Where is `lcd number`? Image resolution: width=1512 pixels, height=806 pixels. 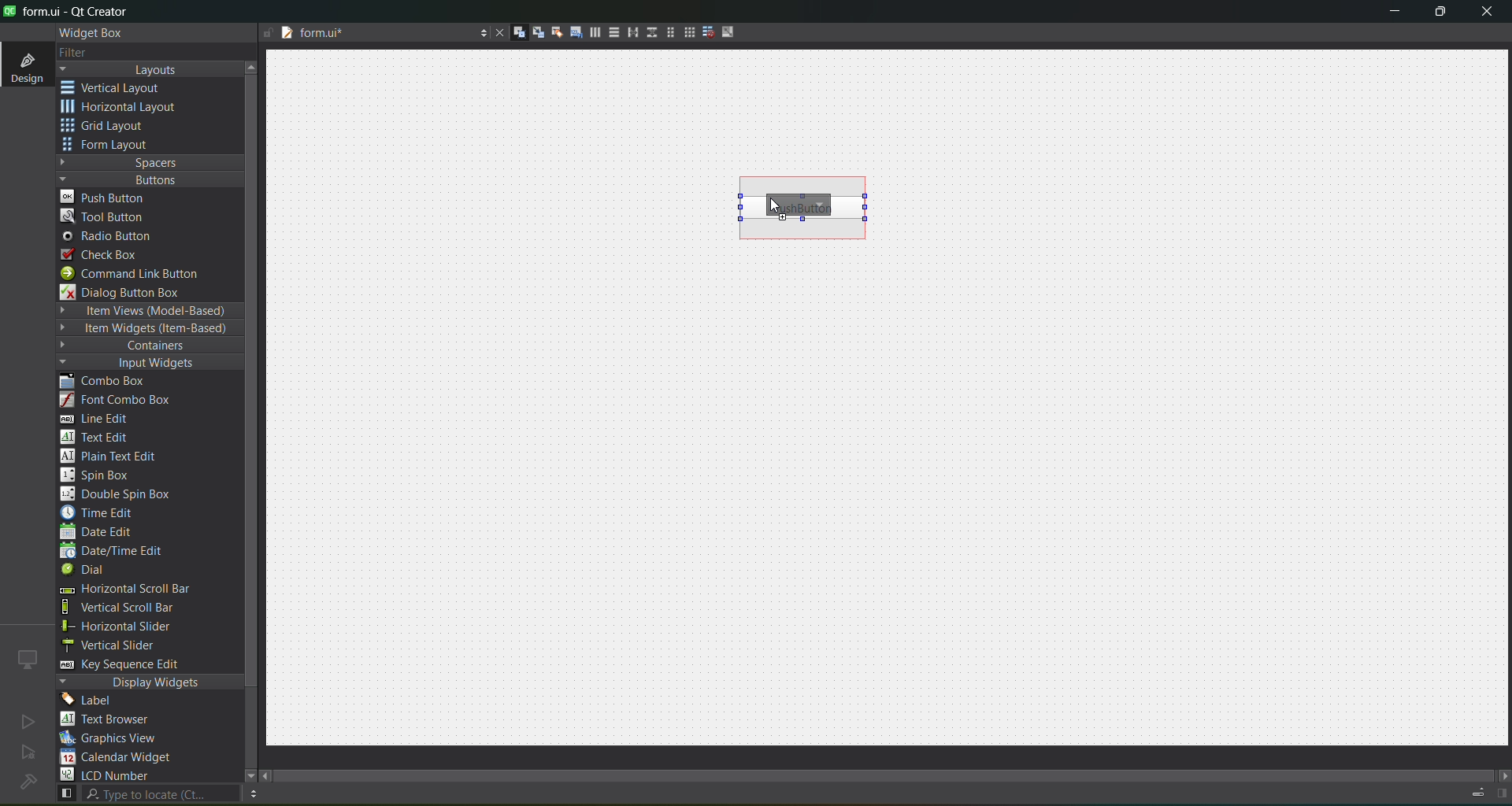 lcd number is located at coordinates (109, 775).